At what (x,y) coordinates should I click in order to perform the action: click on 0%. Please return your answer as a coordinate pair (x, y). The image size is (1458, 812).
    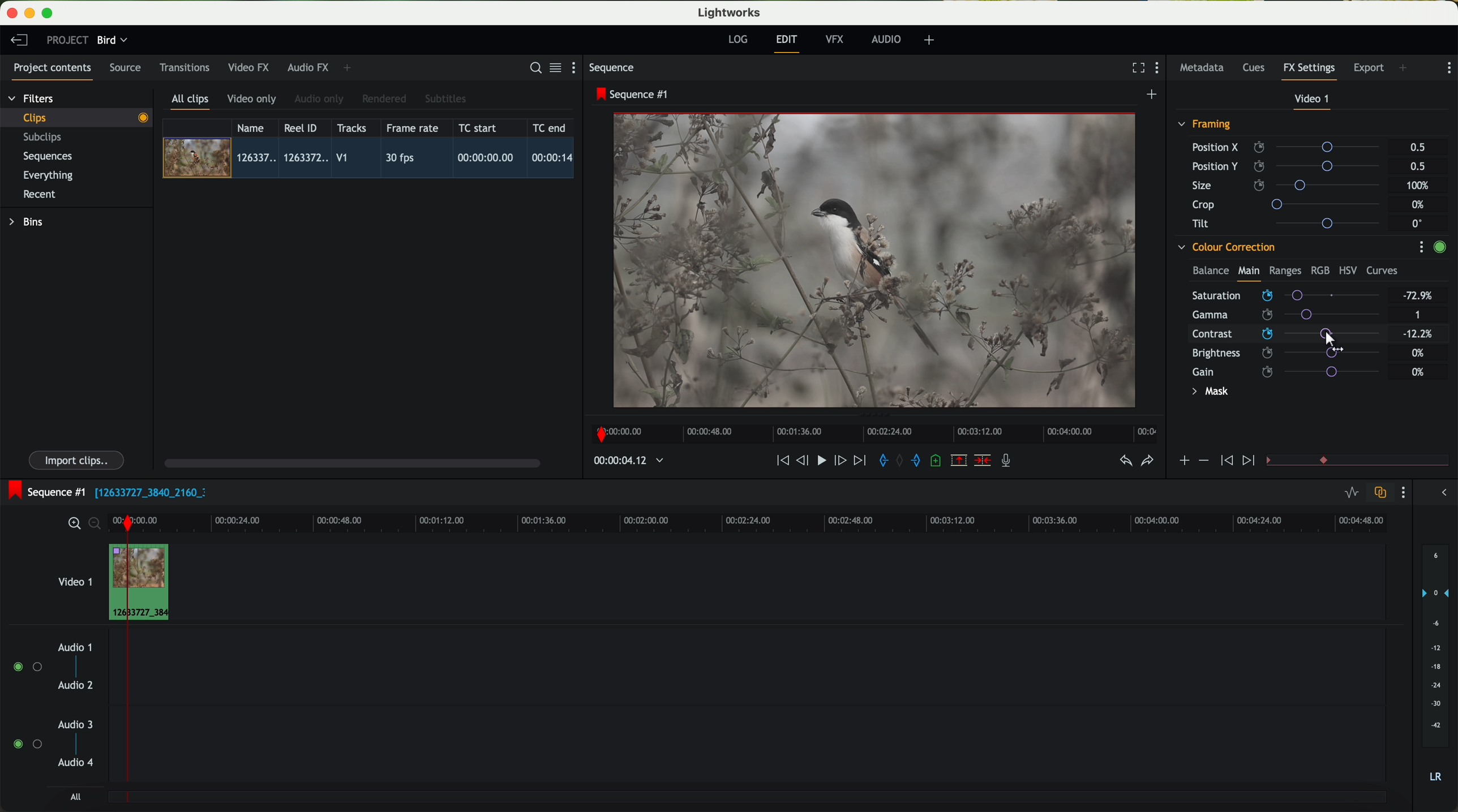
    Looking at the image, I should click on (1420, 205).